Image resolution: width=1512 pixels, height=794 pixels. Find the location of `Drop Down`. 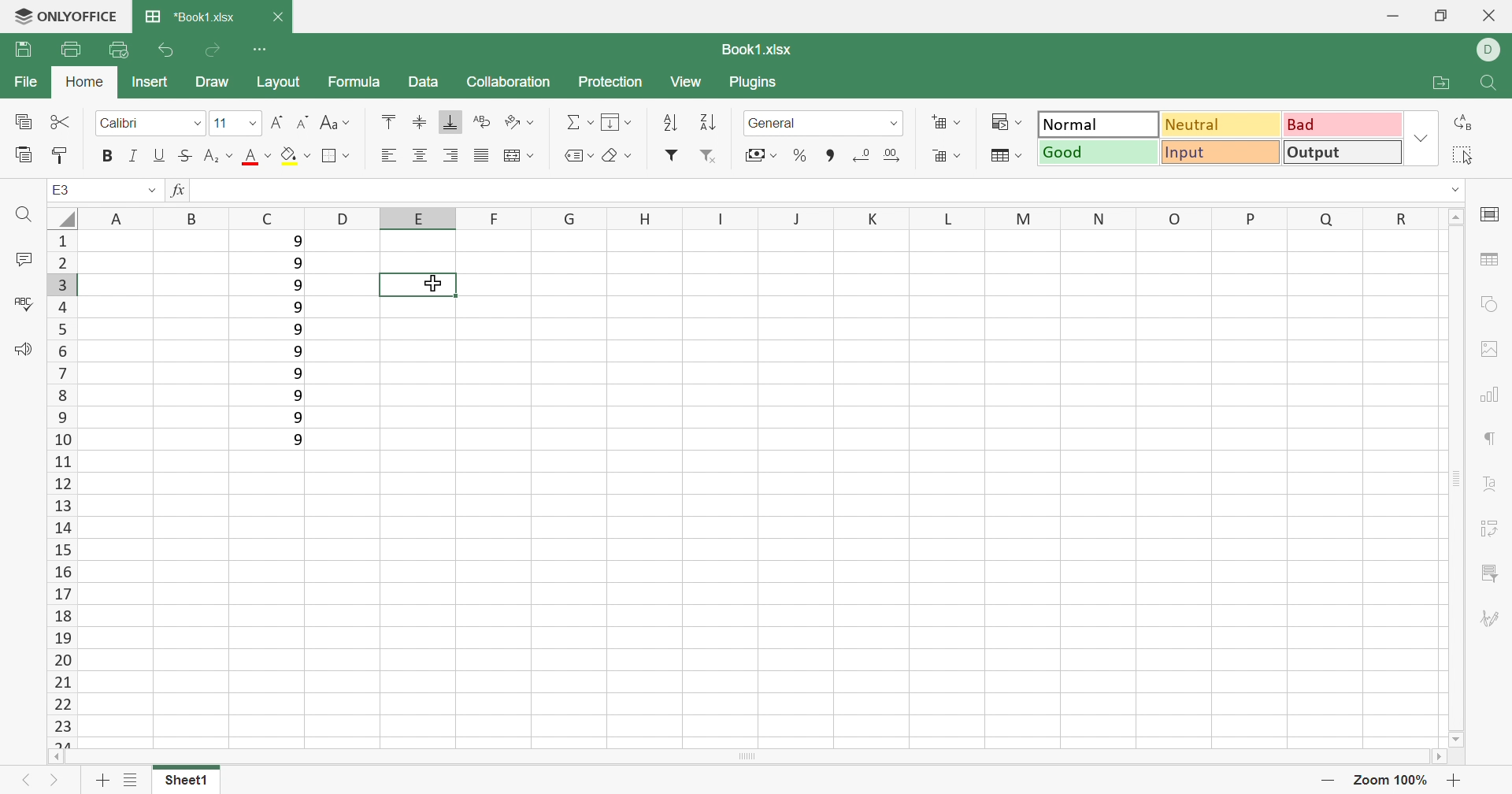

Drop Down is located at coordinates (1418, 139).